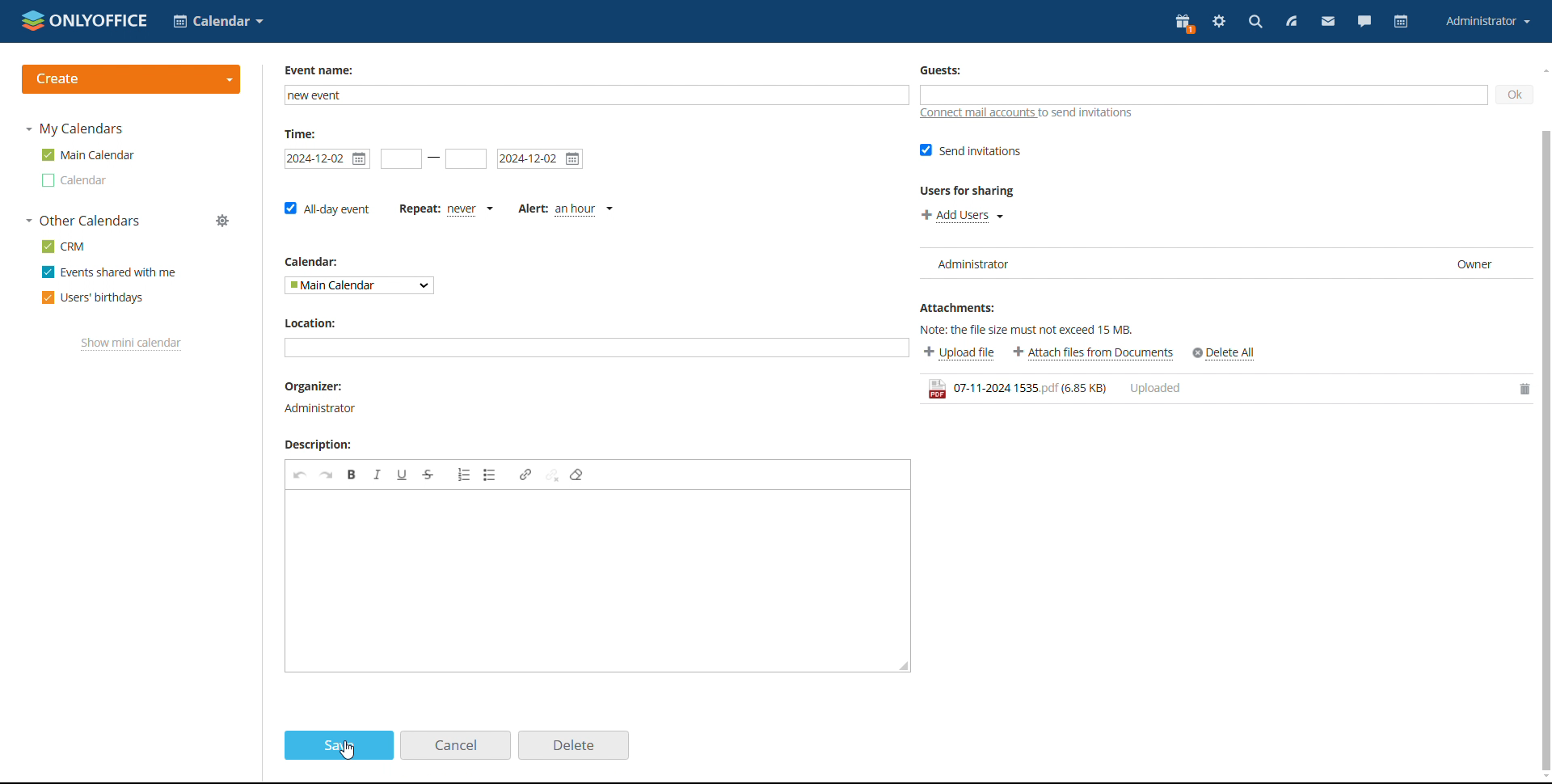  Describe the element at coordinates (602, 580) in the screenshot. I see `edit description` at that location.